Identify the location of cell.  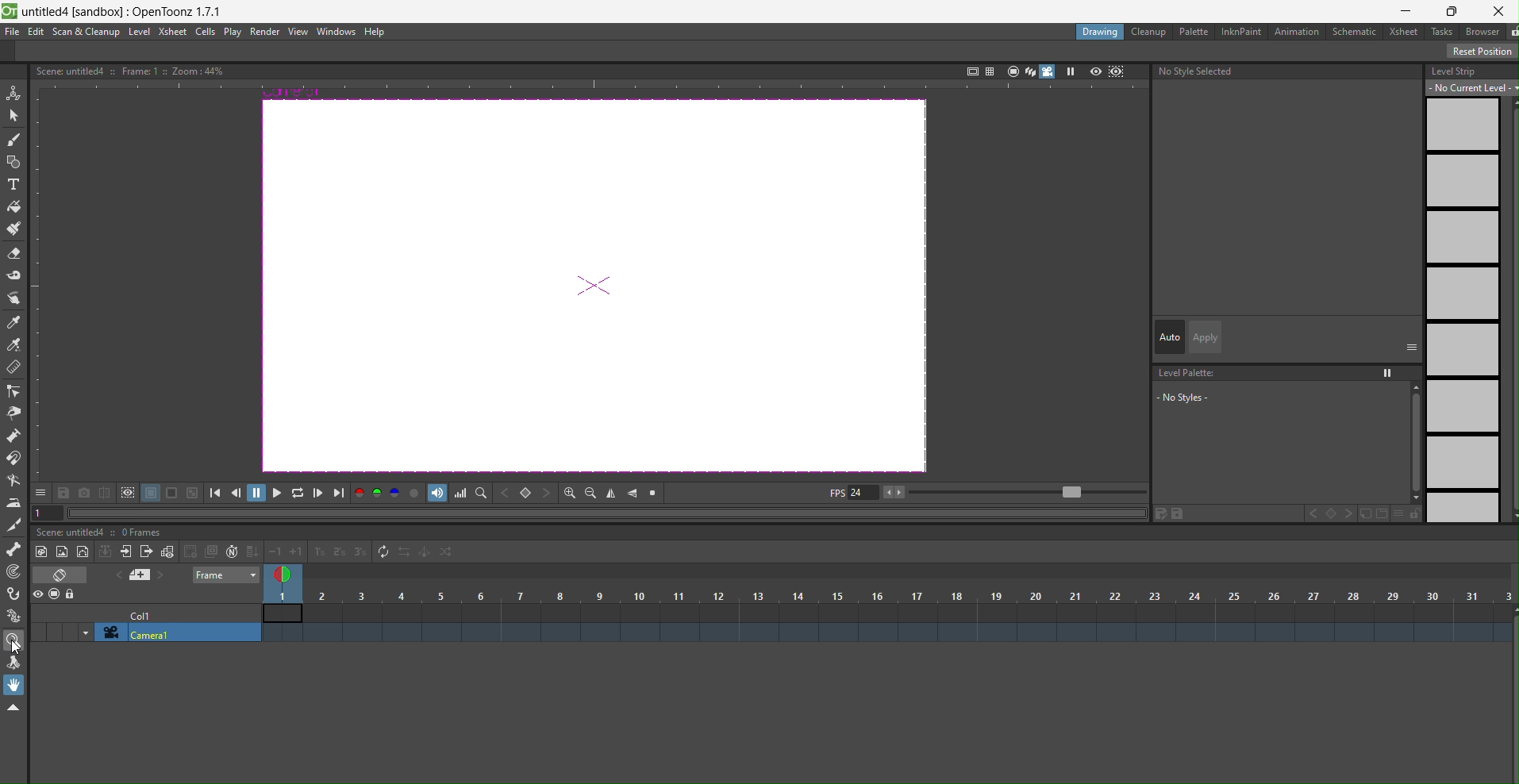
(145, 617).